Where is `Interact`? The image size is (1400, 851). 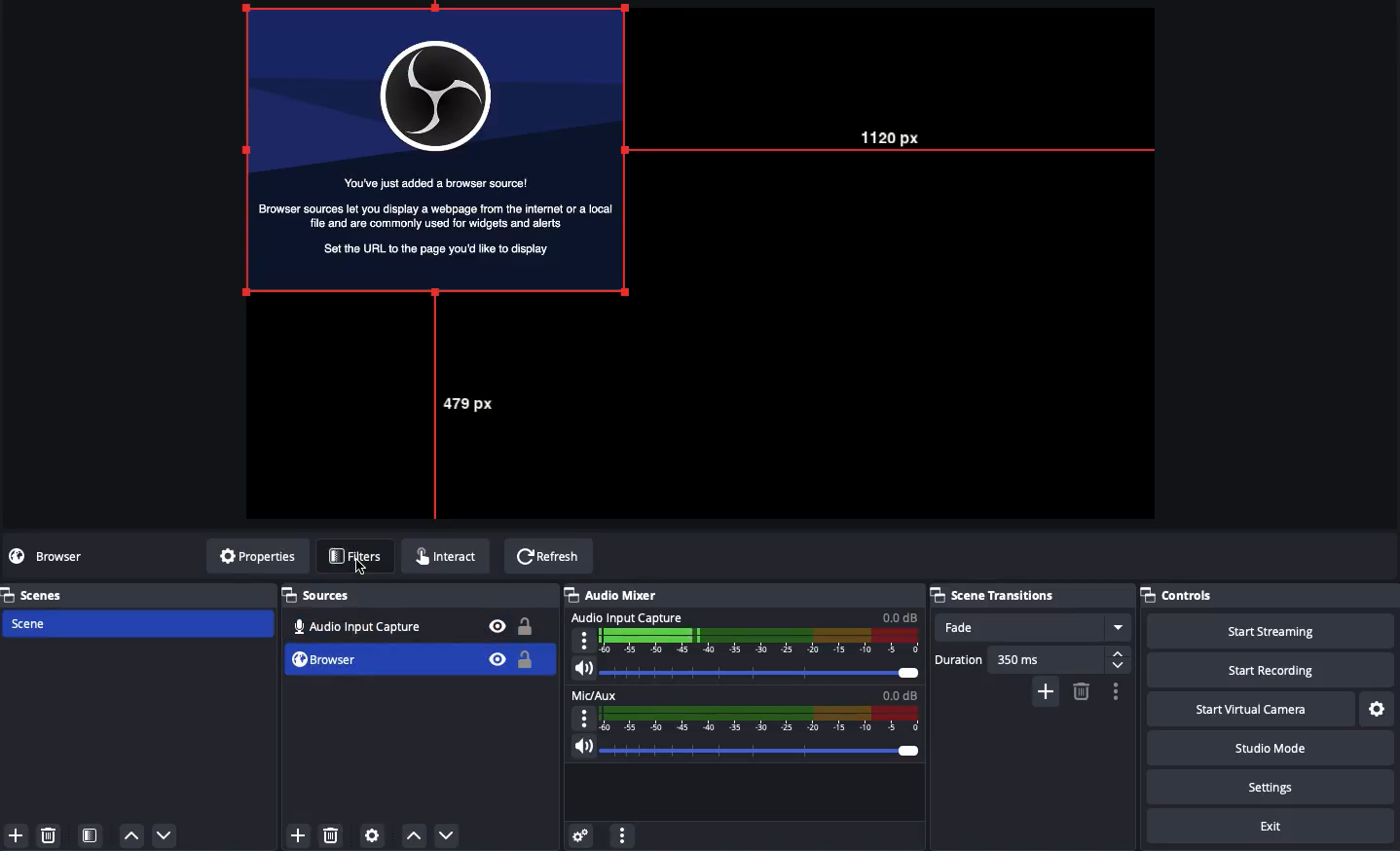
Interact is located at coordinates (453, 559).